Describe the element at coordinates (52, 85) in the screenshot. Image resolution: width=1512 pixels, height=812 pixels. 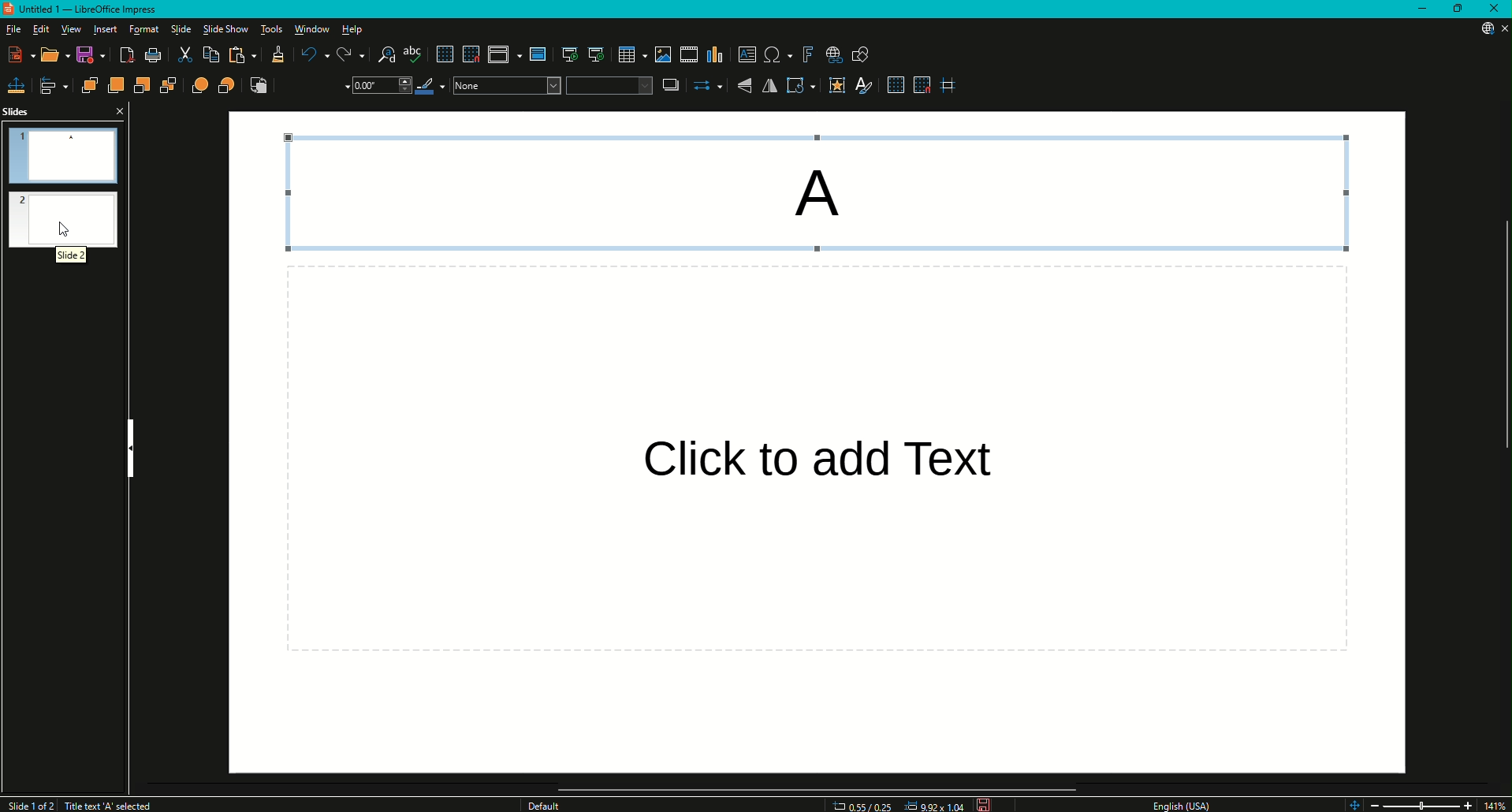
I see `Align Objects` at that location.